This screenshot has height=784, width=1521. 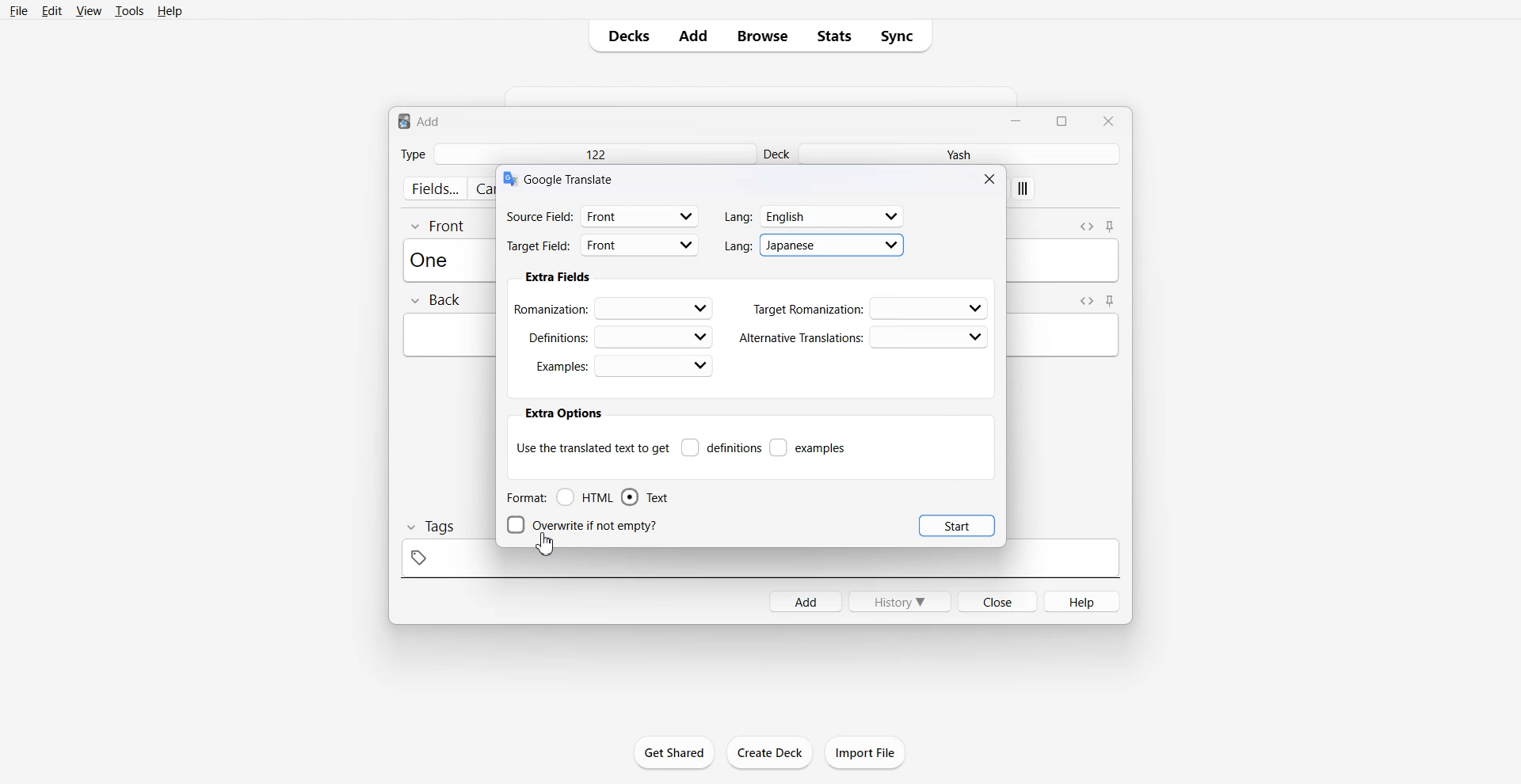 I want to click on Examples, so click(x=623, y=366).